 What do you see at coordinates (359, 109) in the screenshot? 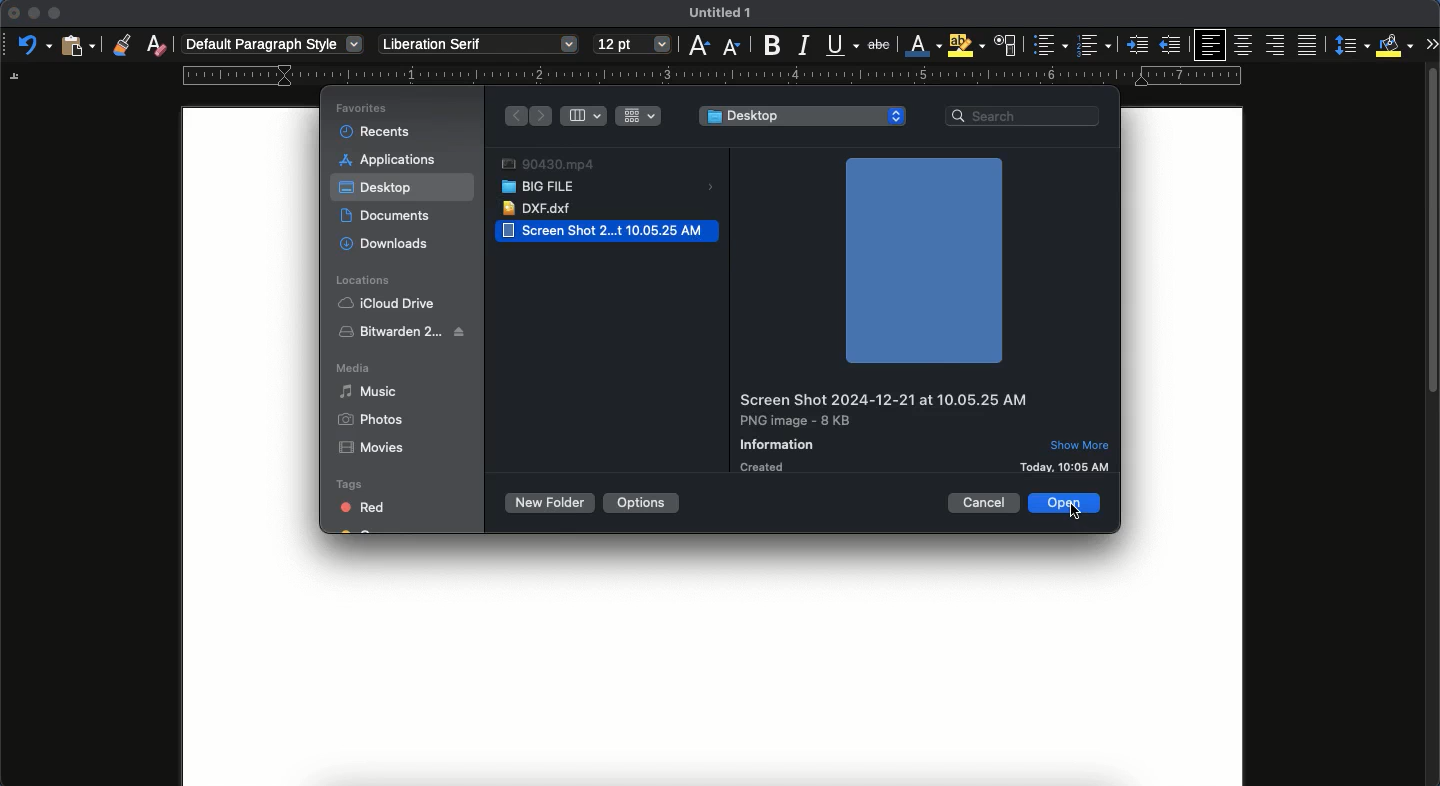
I see `favorites` at bounding box center [359, 109].